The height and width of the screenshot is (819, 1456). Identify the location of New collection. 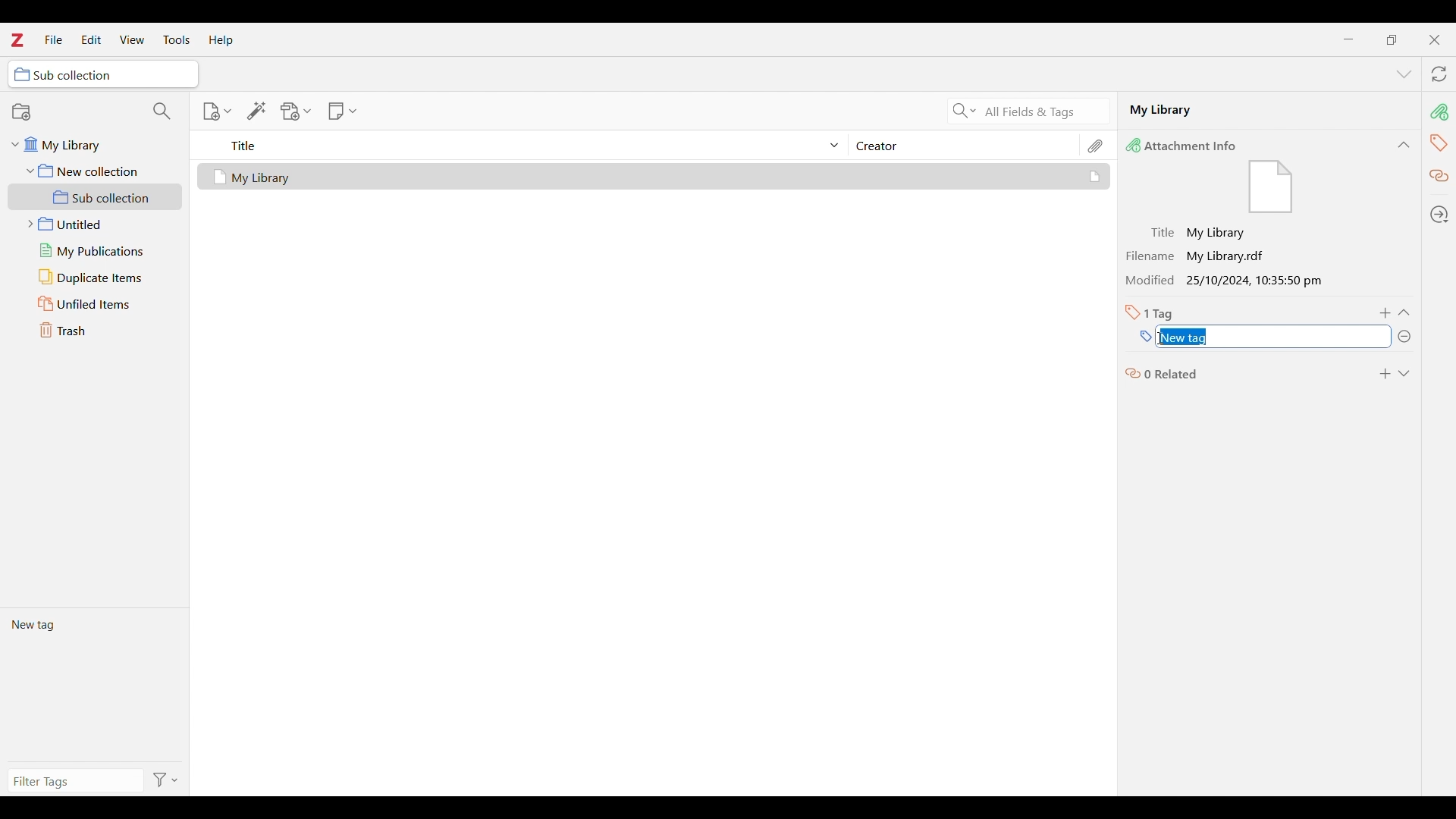
(21, 111).